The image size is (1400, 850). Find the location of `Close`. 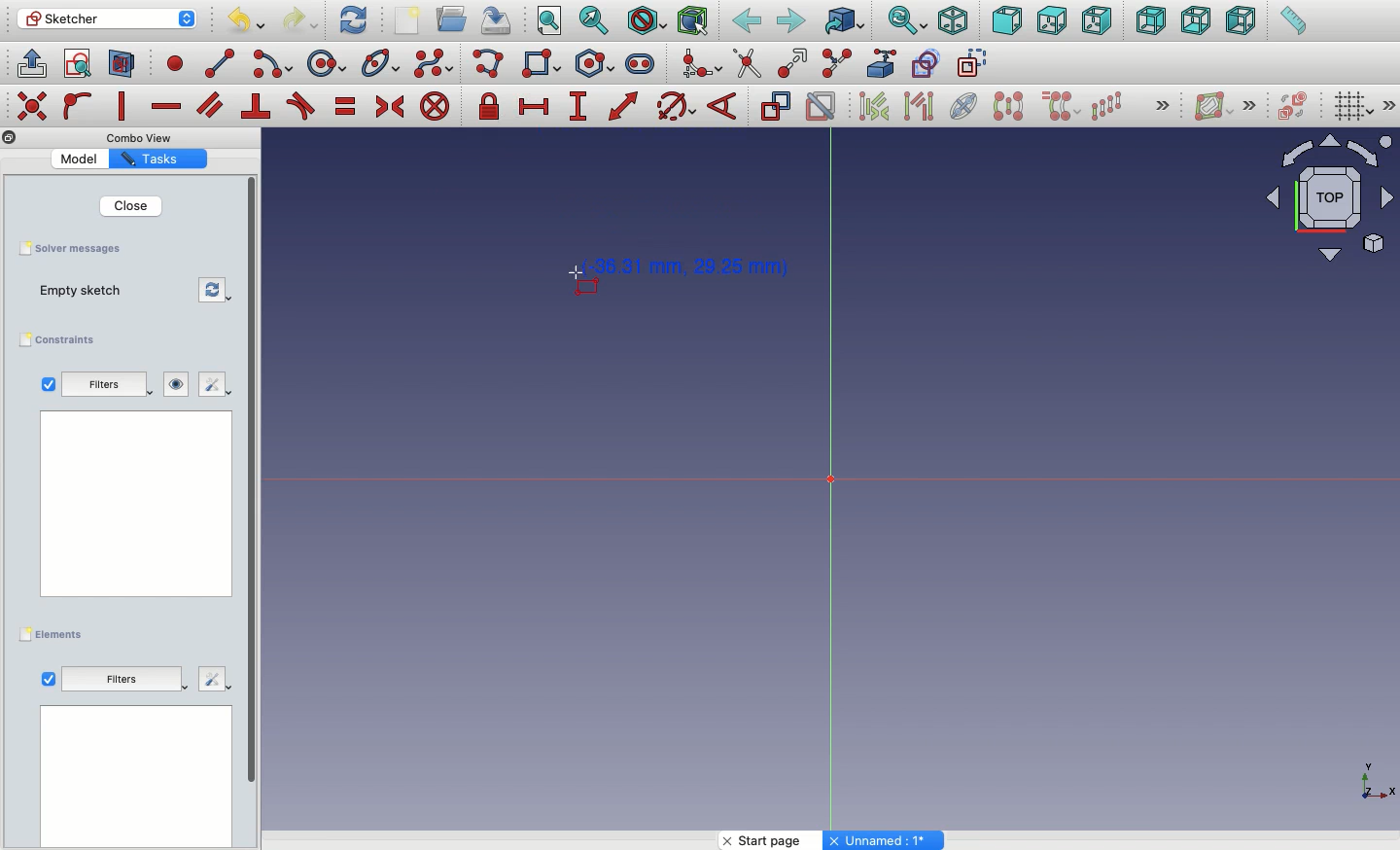

Close is located at coordinates (129, 205).